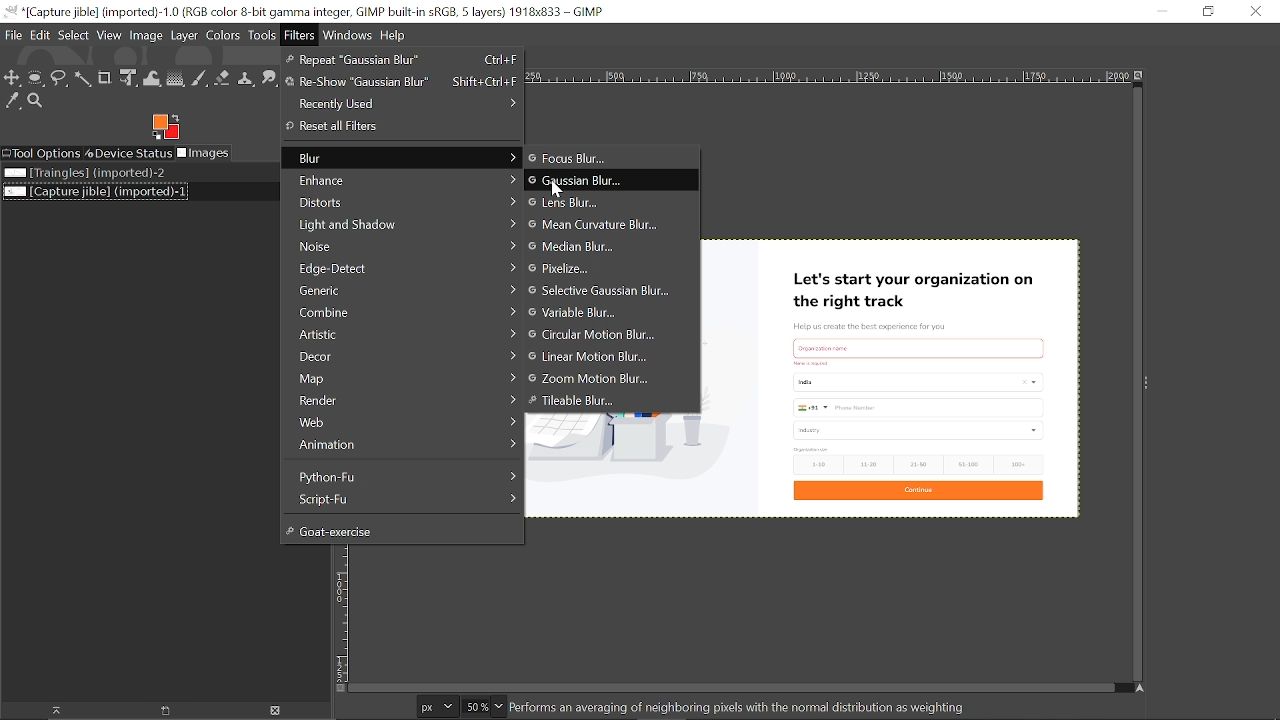  What do you see at coordinates (185, 37) in the screenshot?
I see `Layer` at bounding box center [185, 37].